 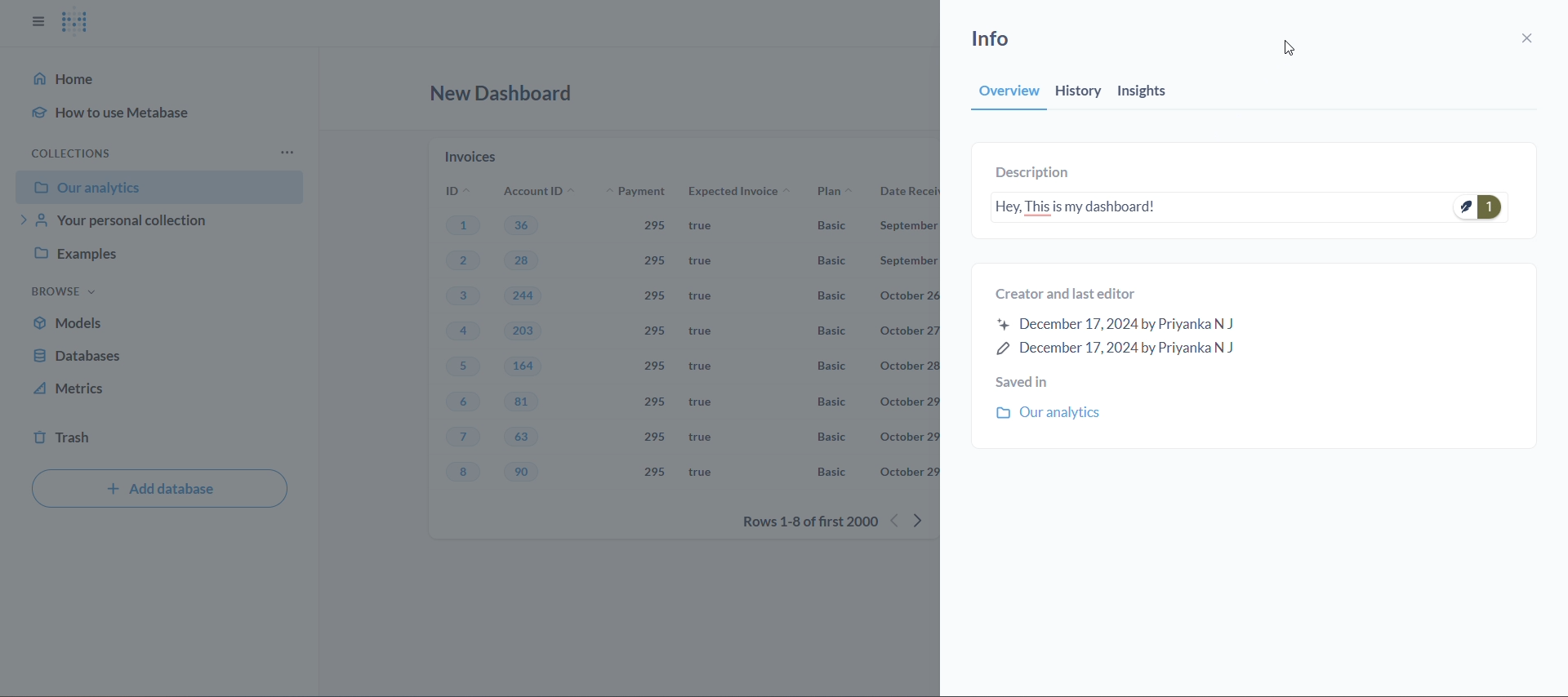 What do you see at coordinates (1048, 381) in the screenshot?
I see `saved in` at bounding box center [1048, 381].